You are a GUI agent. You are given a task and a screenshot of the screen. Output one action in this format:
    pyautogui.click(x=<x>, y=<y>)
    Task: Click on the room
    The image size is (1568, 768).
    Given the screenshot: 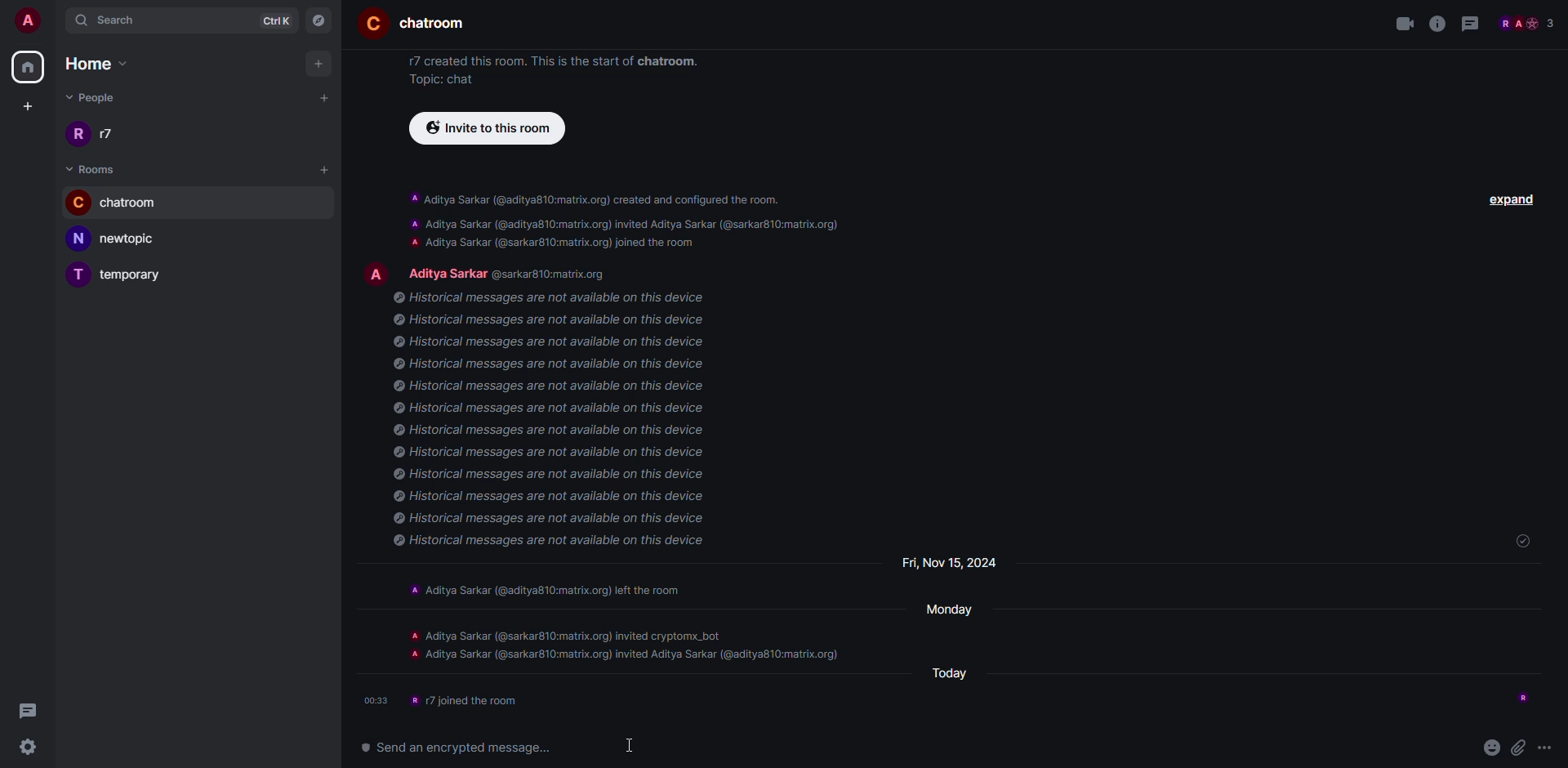 What is the action you would take?
    pyautogui.click(x=412, y=24)
    